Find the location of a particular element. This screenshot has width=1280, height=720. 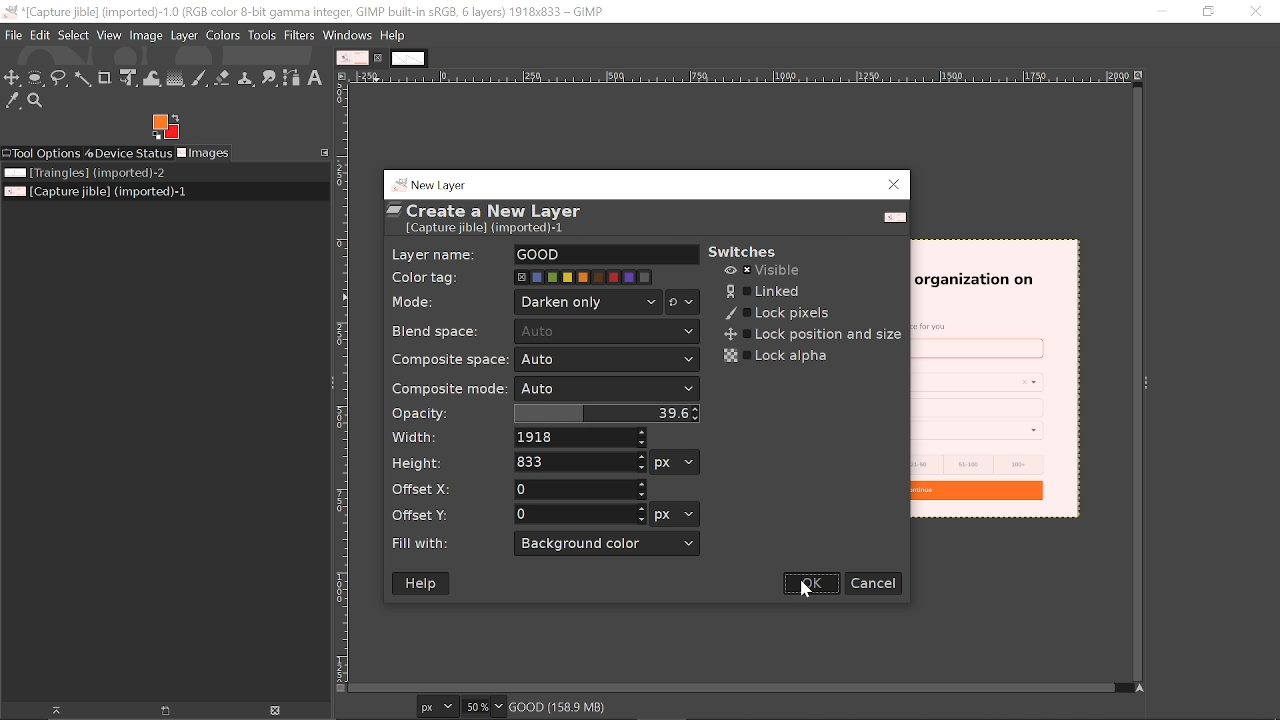

Path tool is located at coordinates (292, 78).